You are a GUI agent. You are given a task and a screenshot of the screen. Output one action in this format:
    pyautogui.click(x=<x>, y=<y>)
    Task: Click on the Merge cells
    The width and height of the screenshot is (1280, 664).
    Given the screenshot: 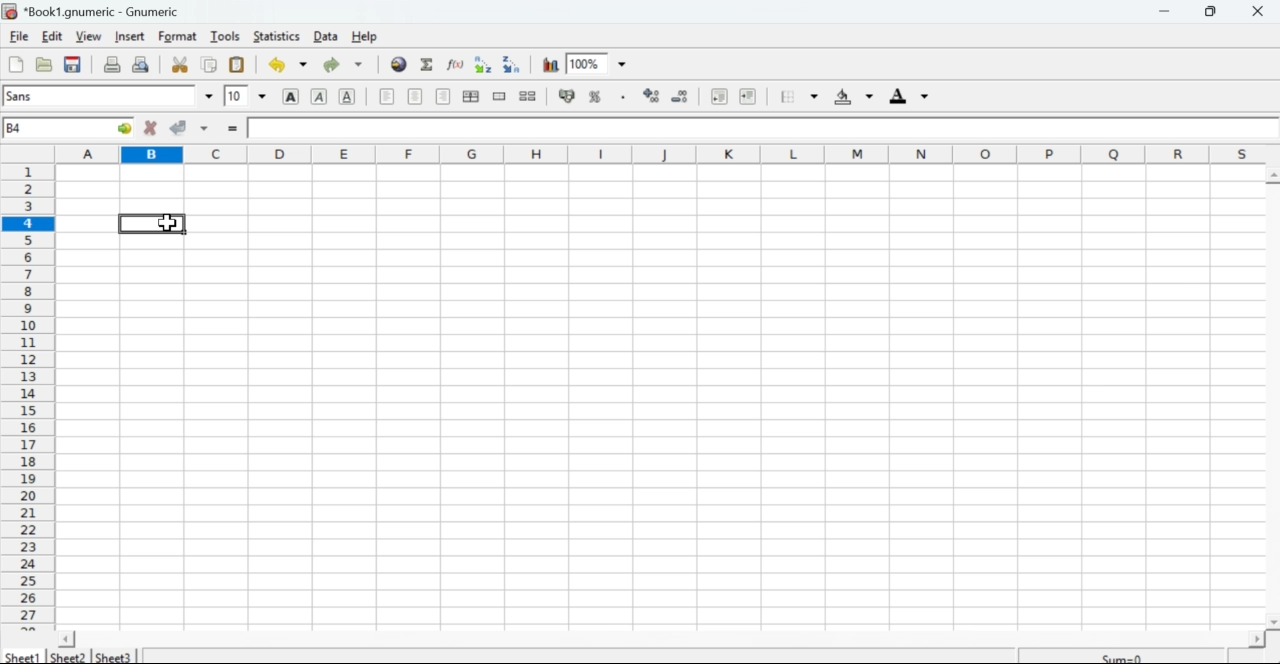 What is the action you would take?
    pyautogui.click(x=499, y=97)
    